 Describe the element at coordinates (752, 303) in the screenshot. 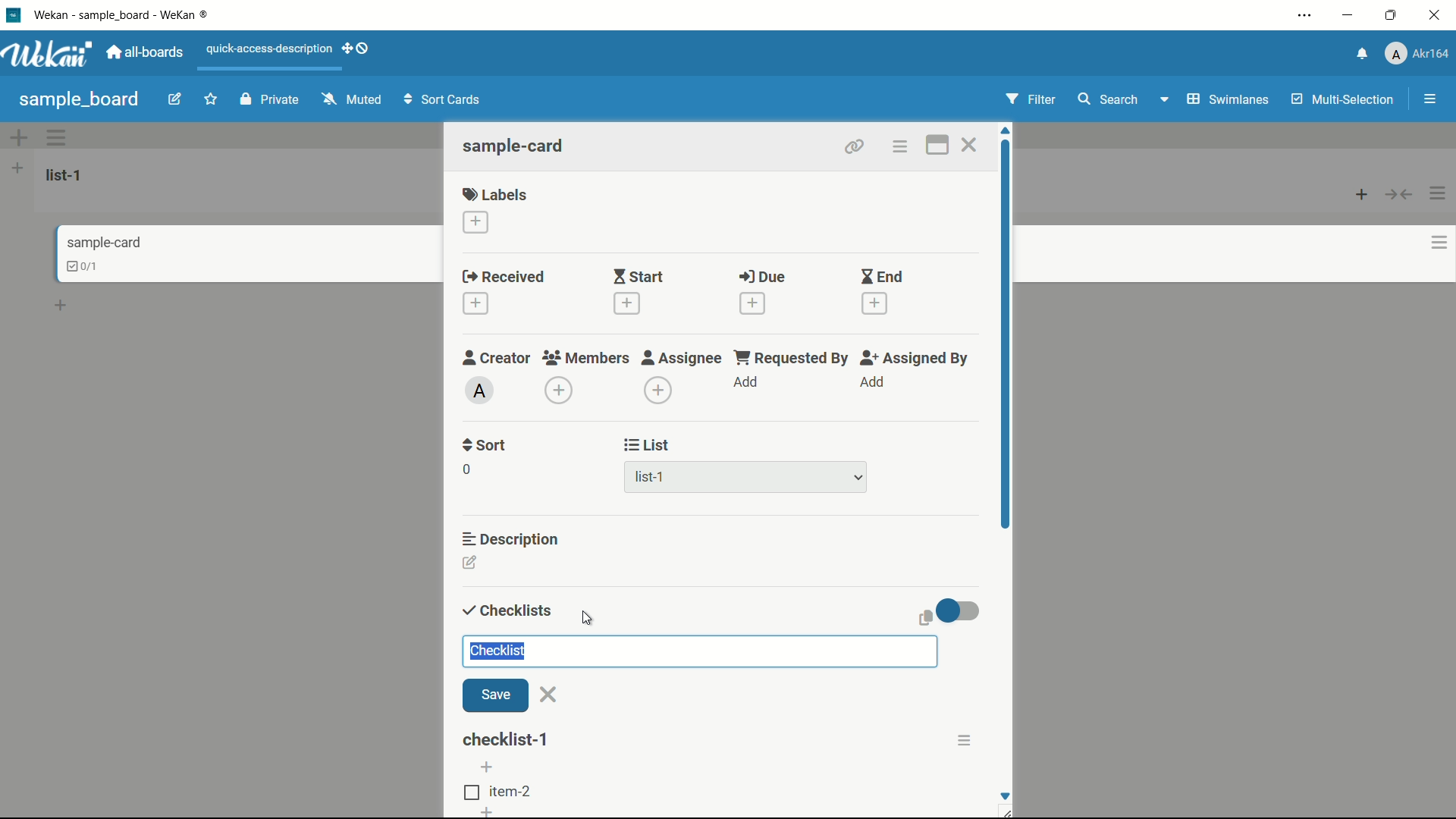

I see `add date` at that location.